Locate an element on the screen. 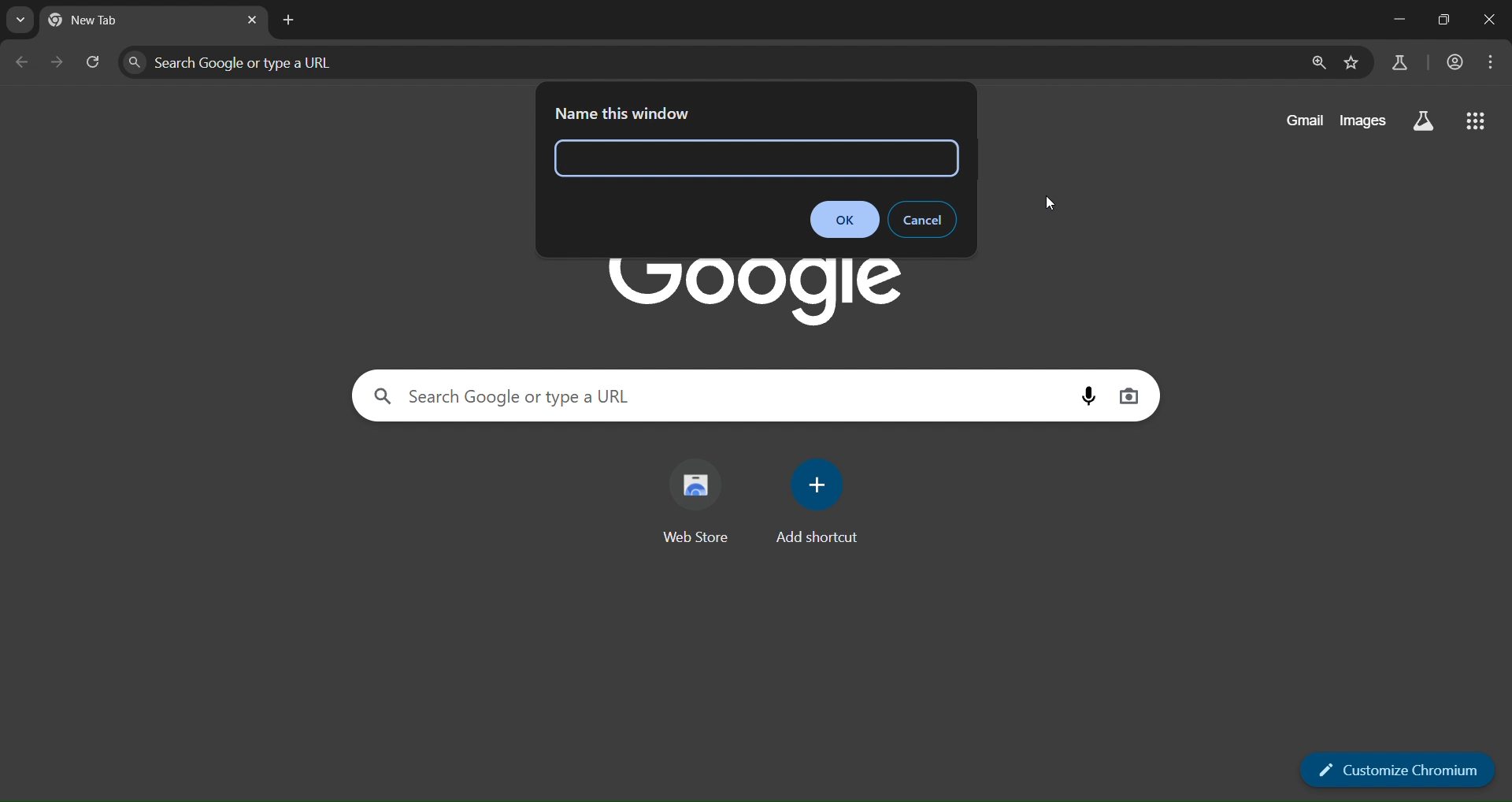  minimize is located at coordinates (1395, 19).